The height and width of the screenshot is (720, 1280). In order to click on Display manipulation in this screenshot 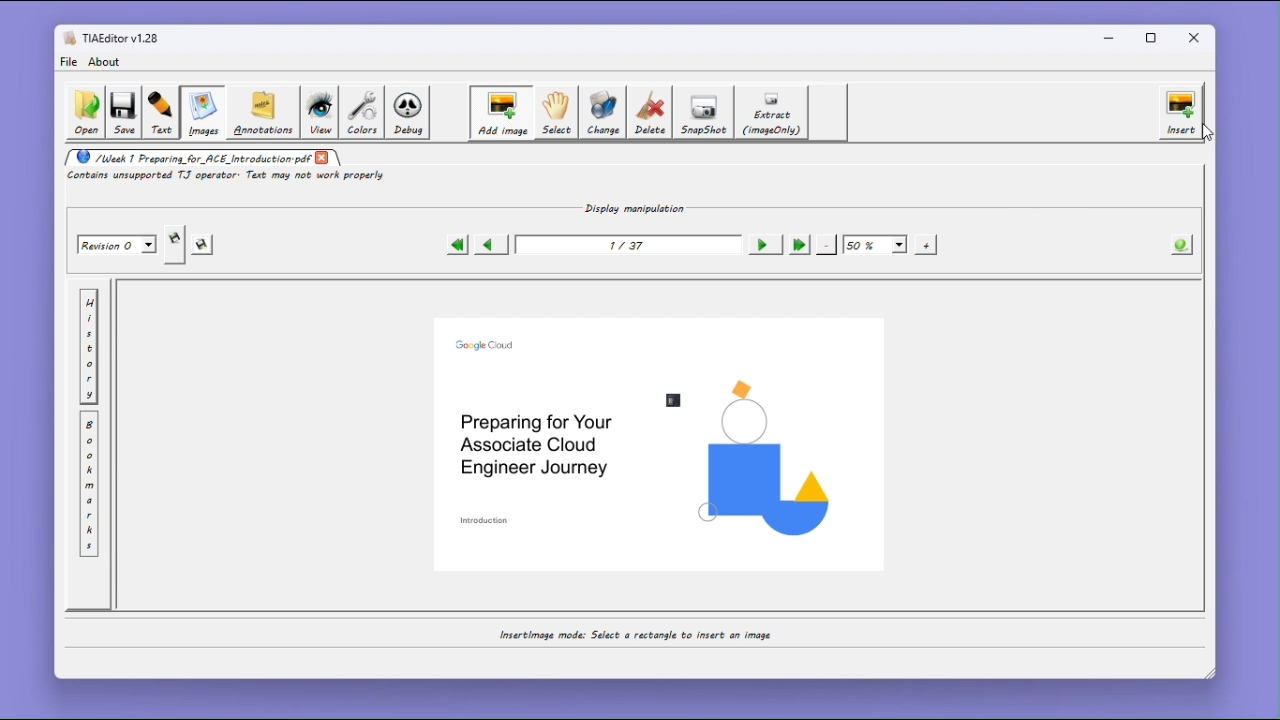, I will do `click(629, 207)`.